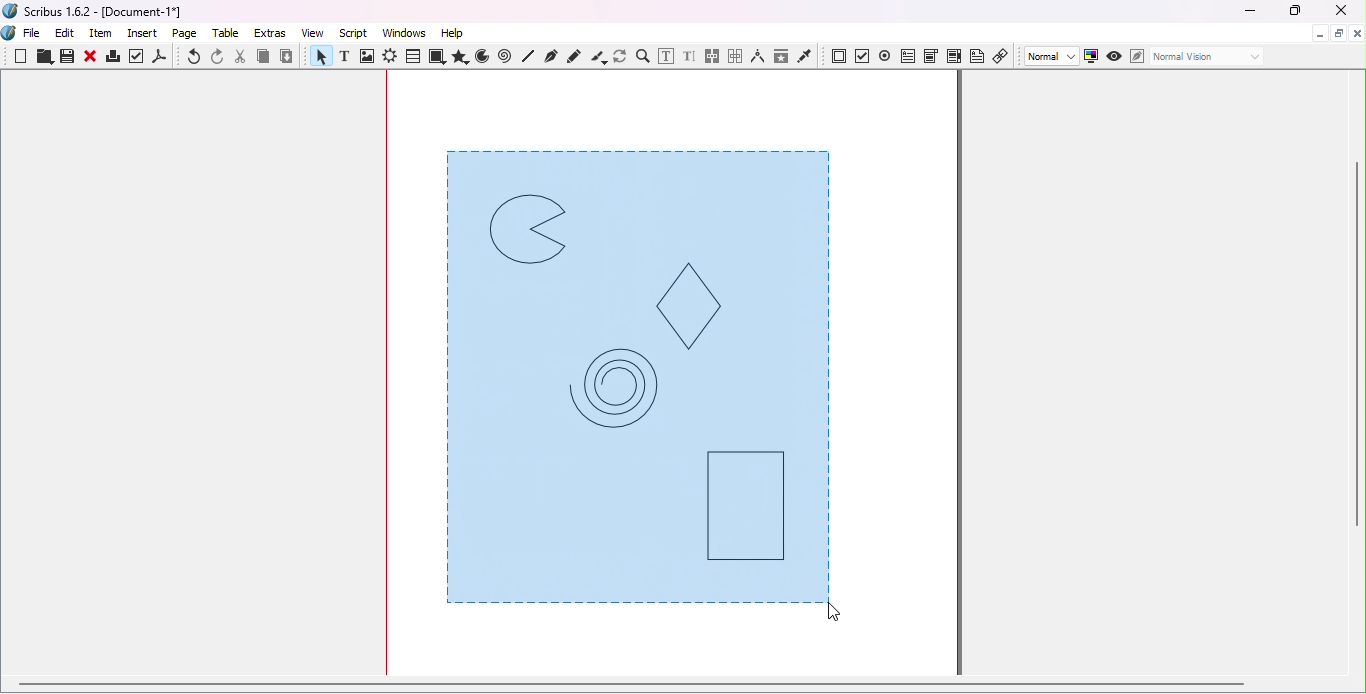  I want to click on View, so click(317, 32).